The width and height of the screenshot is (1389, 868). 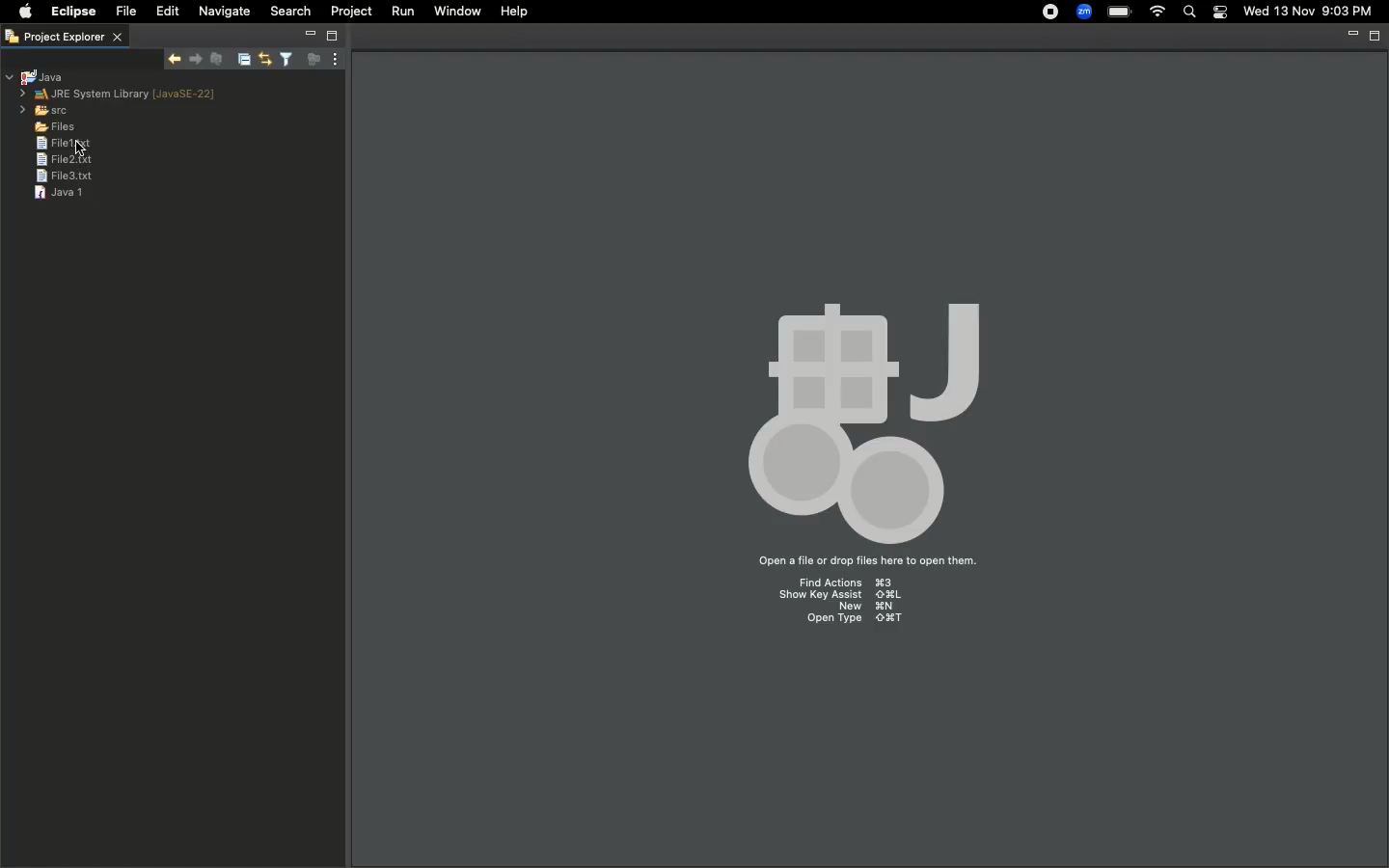 What do you see at coordinates (198, 59) in the screenshot?
I see `Show previous match` at bounding box center [198, 59].